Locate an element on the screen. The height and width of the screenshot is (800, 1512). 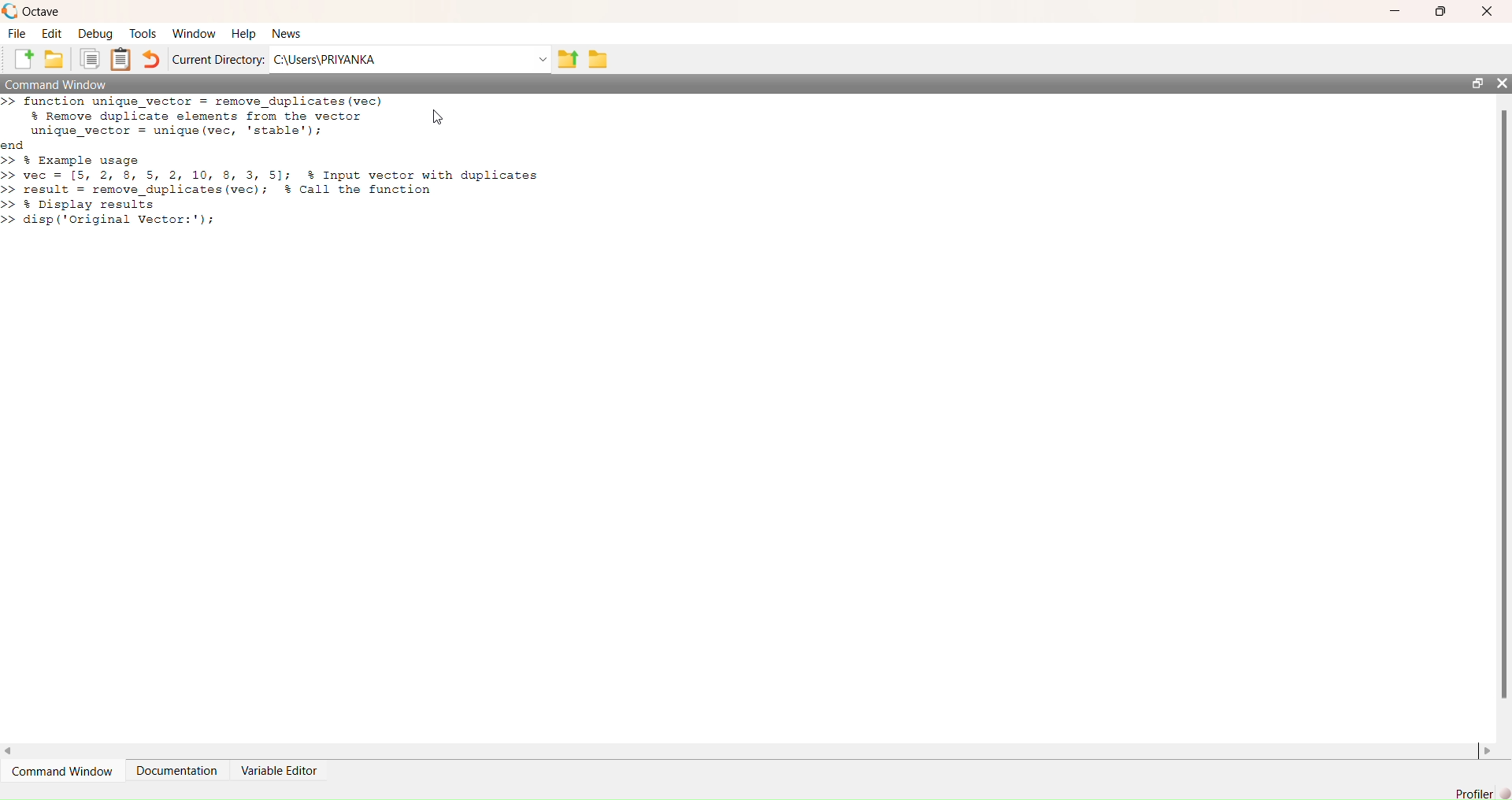
minimise is located at coordinates (1397, 10).